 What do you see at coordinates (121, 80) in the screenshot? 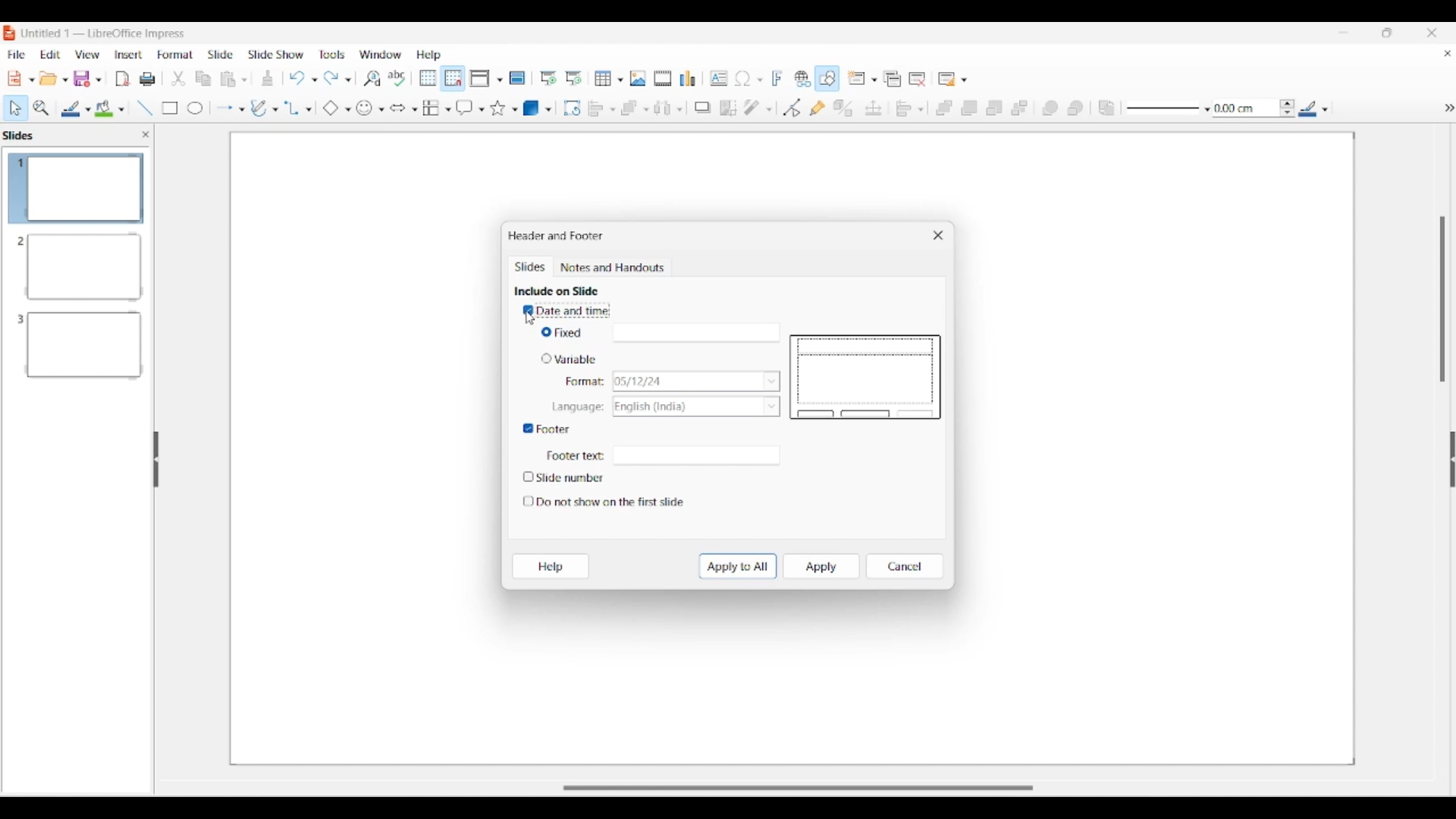
I see `File` at bounding box center [121, 80].